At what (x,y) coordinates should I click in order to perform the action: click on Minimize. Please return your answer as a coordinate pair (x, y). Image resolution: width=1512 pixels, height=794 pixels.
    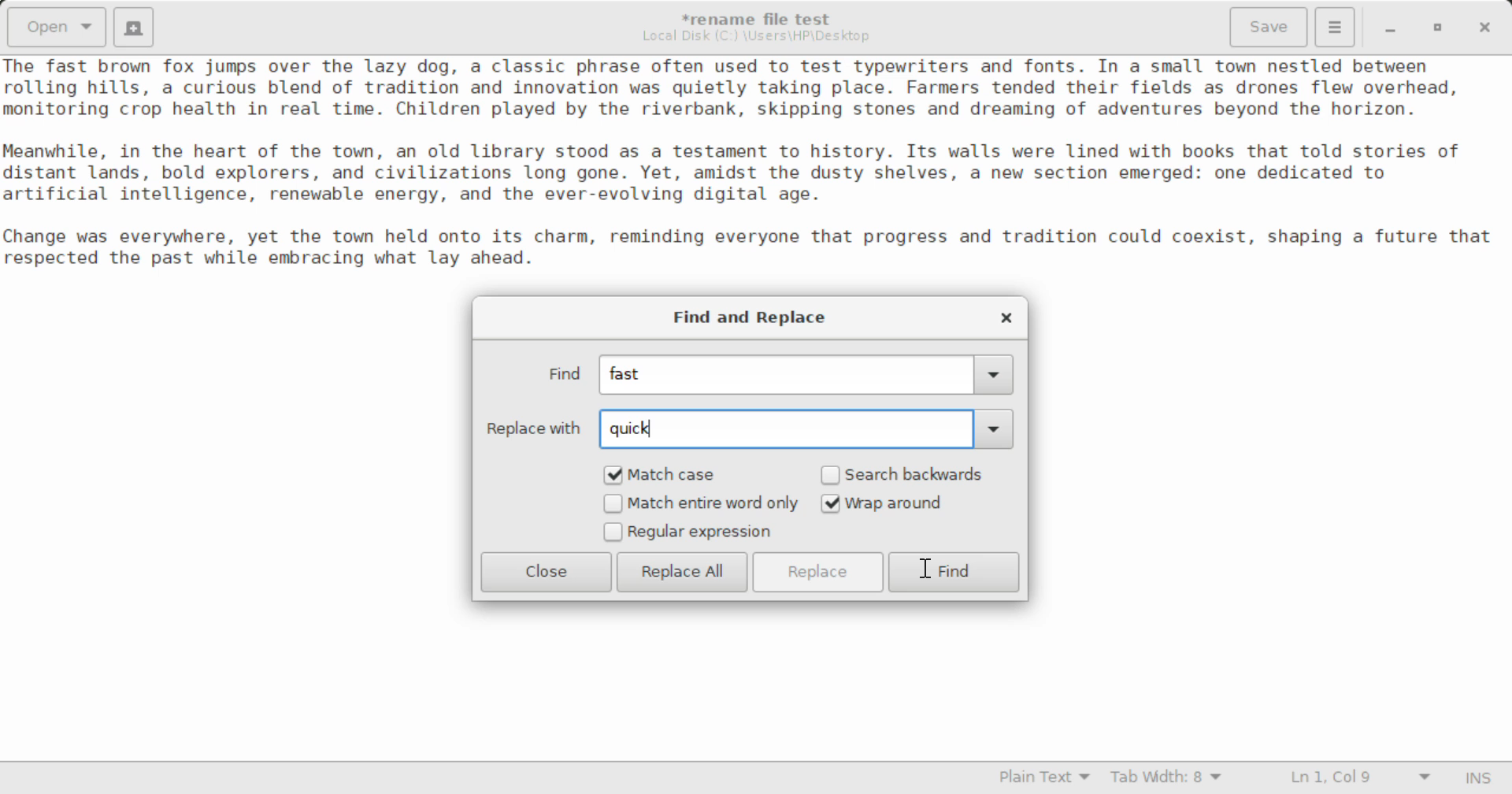
    Looking at the image, I should click on (1440, 27).